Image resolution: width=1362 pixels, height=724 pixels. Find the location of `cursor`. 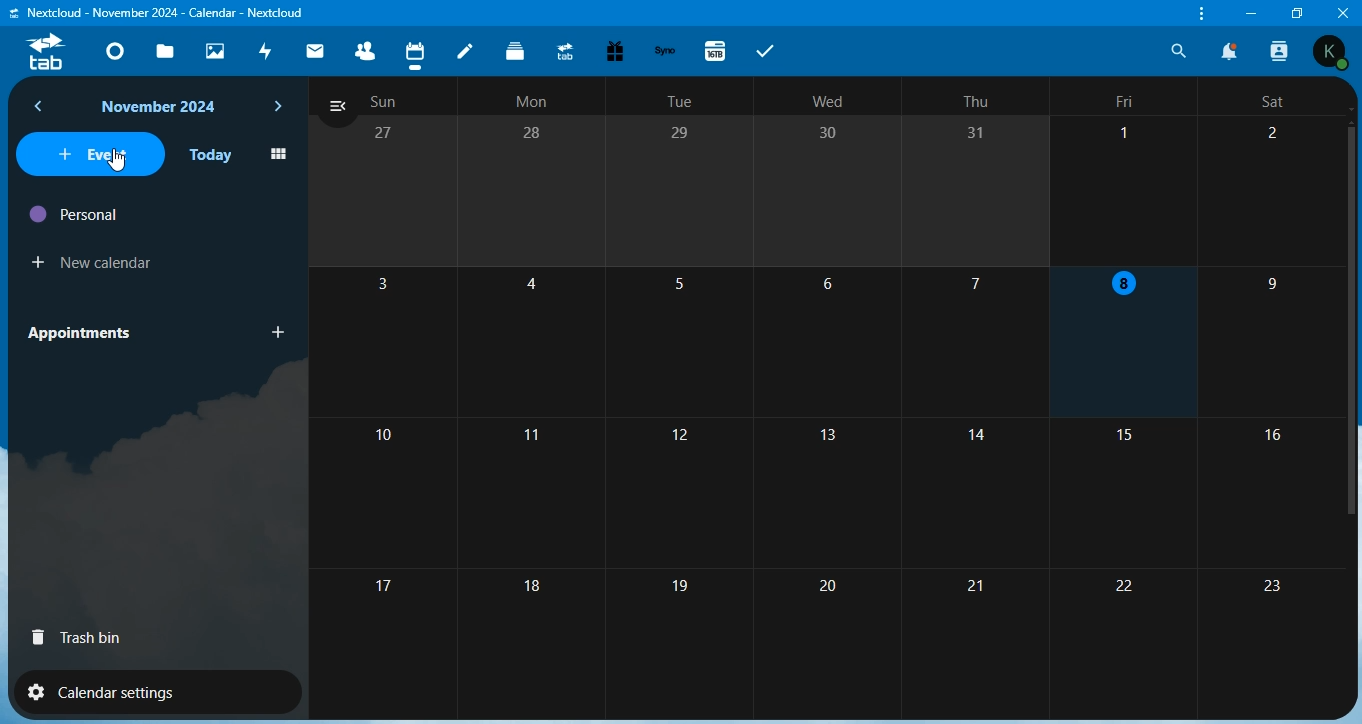

cursor is located at coordinates (115, 160).